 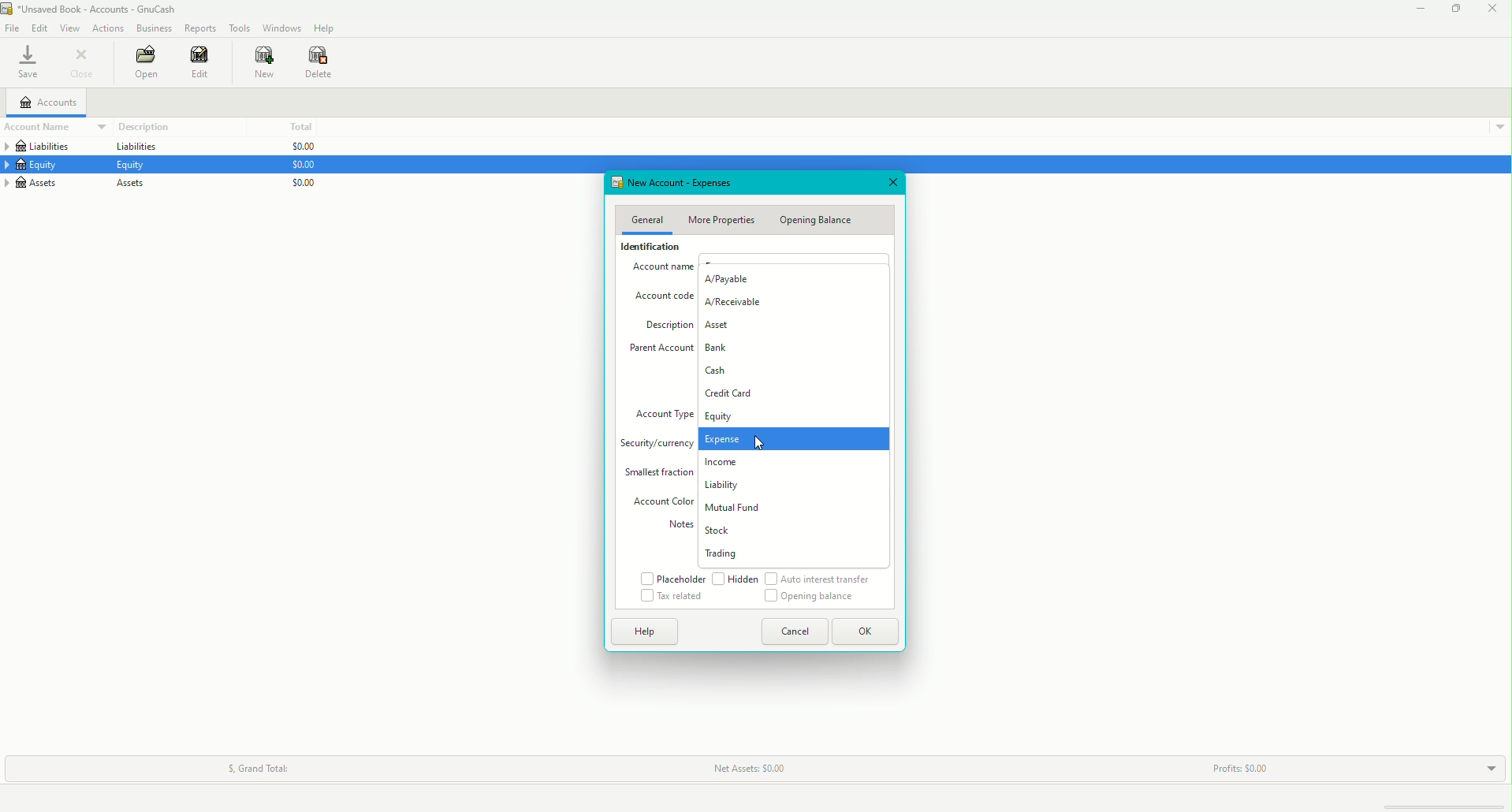 What do you see at coordinates (12, 28) in the screenshot?
I see `File` at bounding box center [12, 28].